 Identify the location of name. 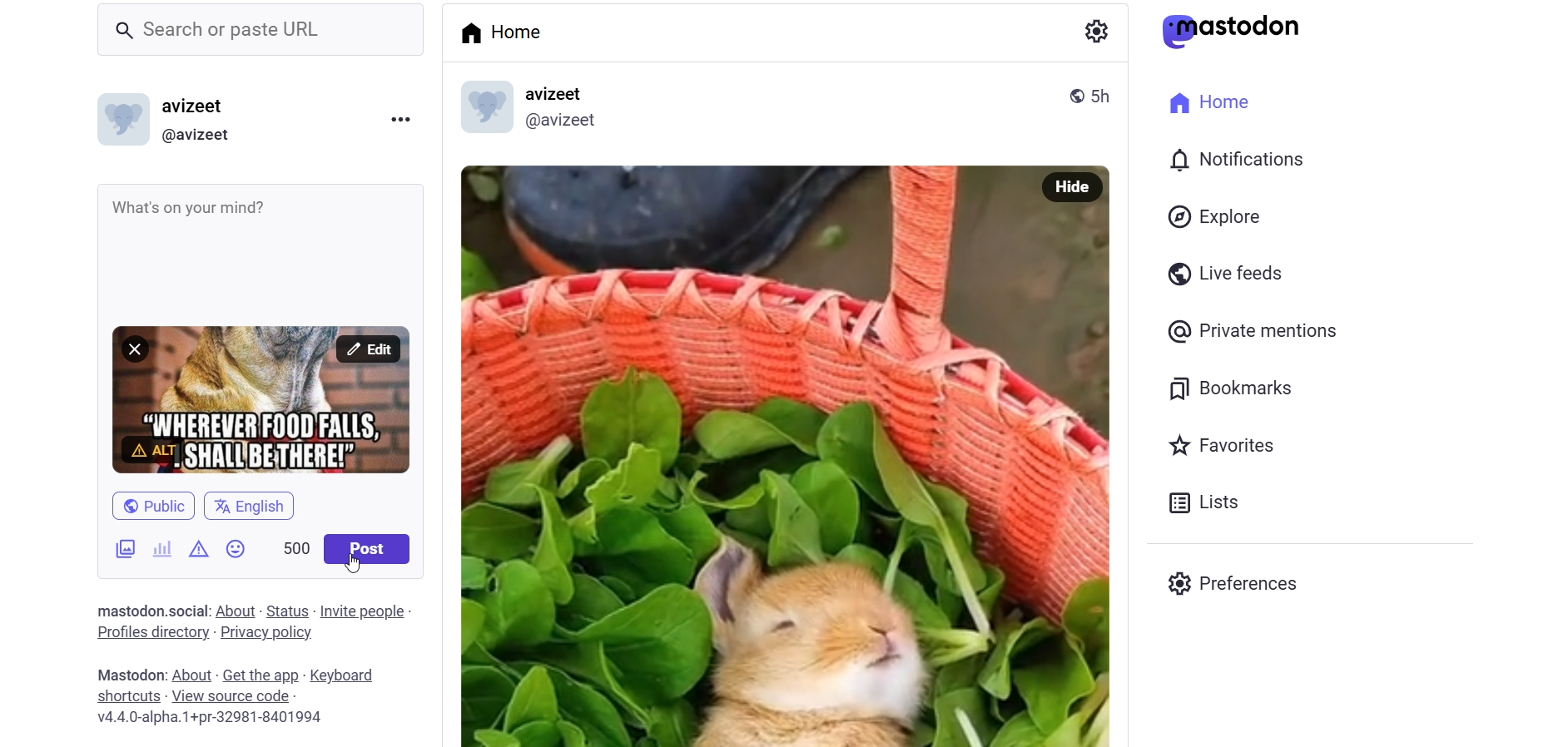
(558, 93).